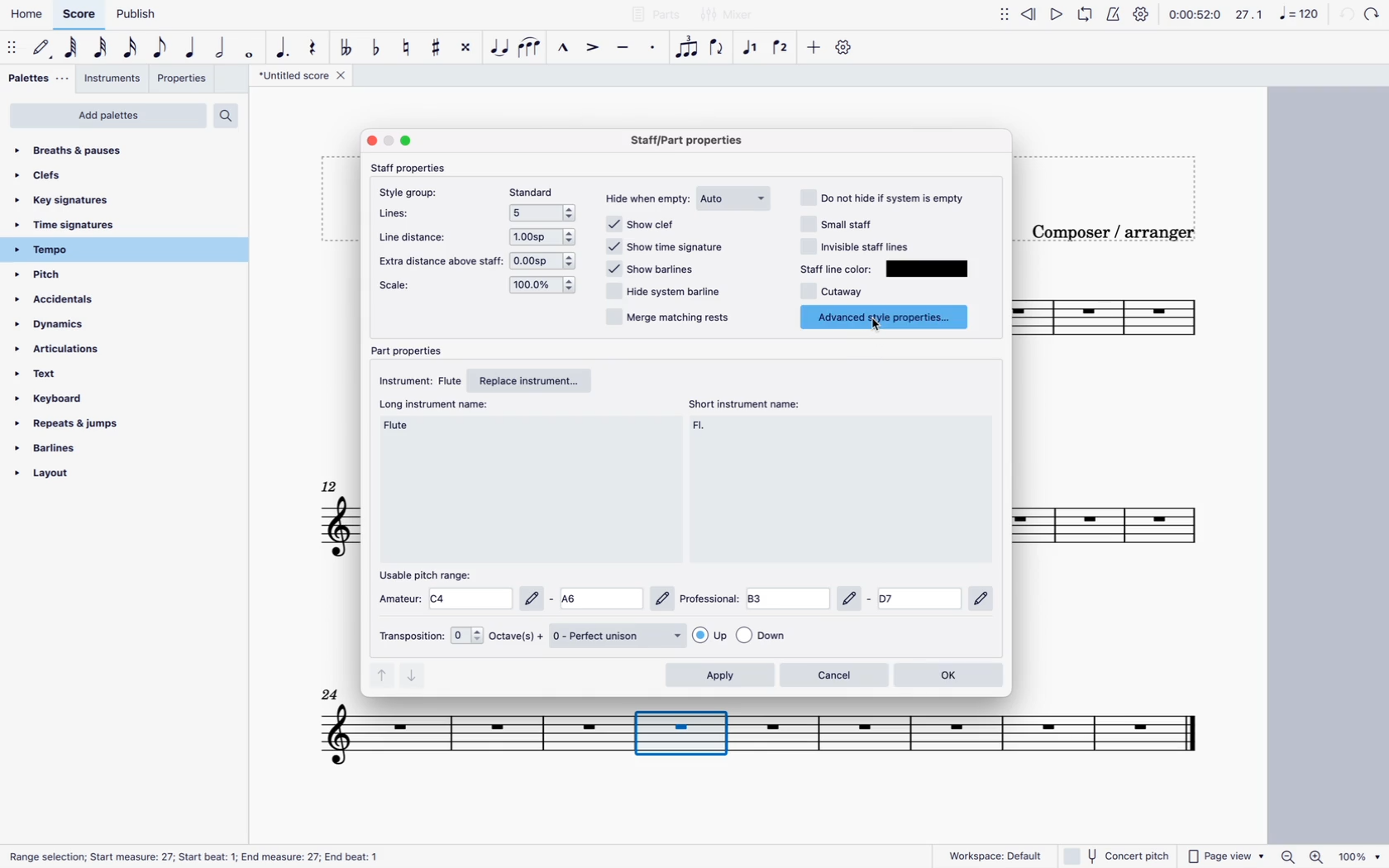 The height and width of the screenshot is (868, 1389). What do you see at coordinates (221, 47) in the screenshot?
I see `double note` at bounding box center [221, 47].